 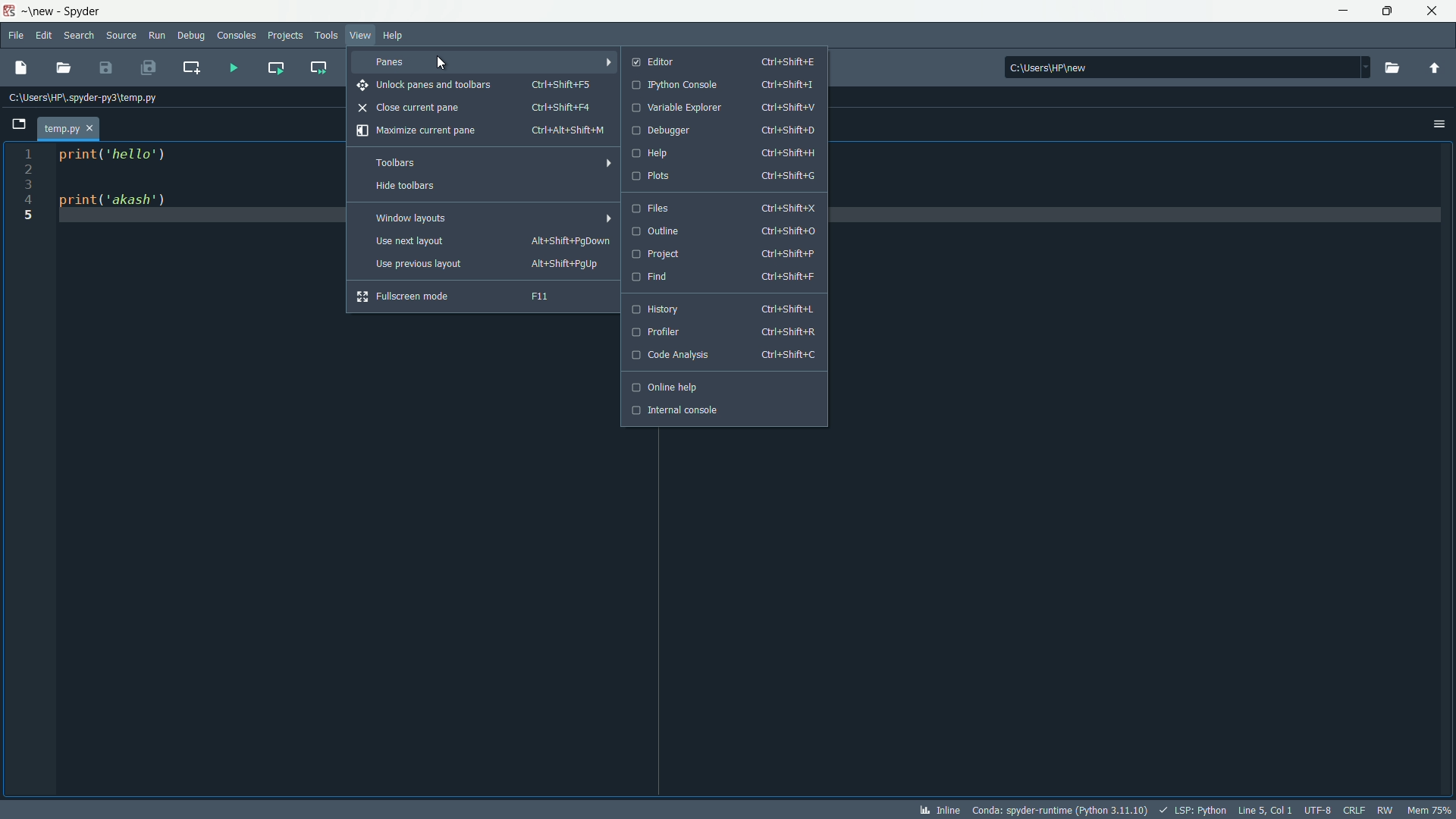 I want to click on close, so click(x=1434, y=11).